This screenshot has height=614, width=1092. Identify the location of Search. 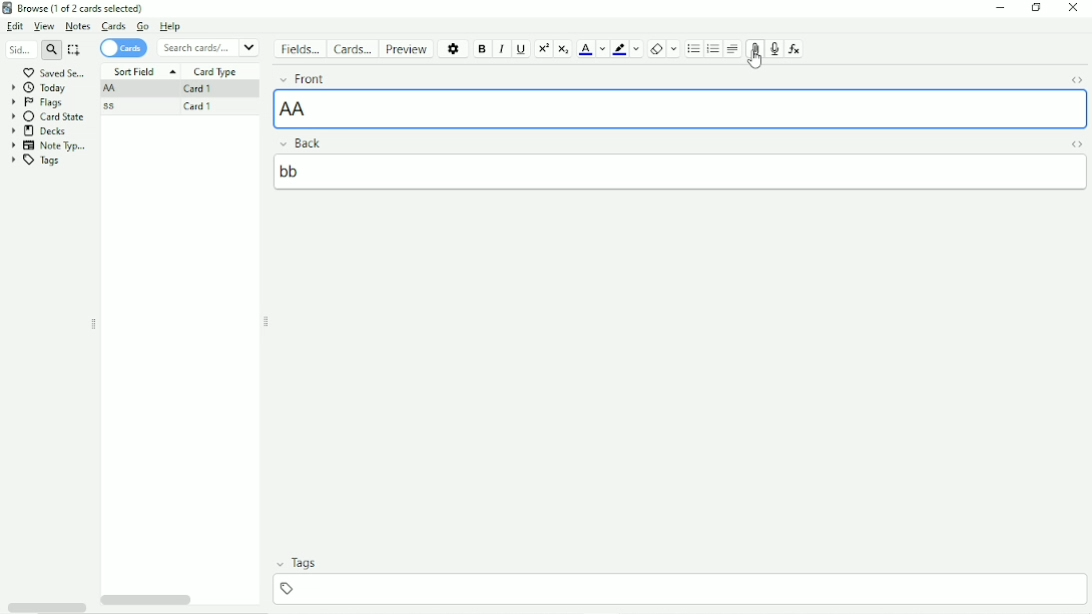
(30, 50).